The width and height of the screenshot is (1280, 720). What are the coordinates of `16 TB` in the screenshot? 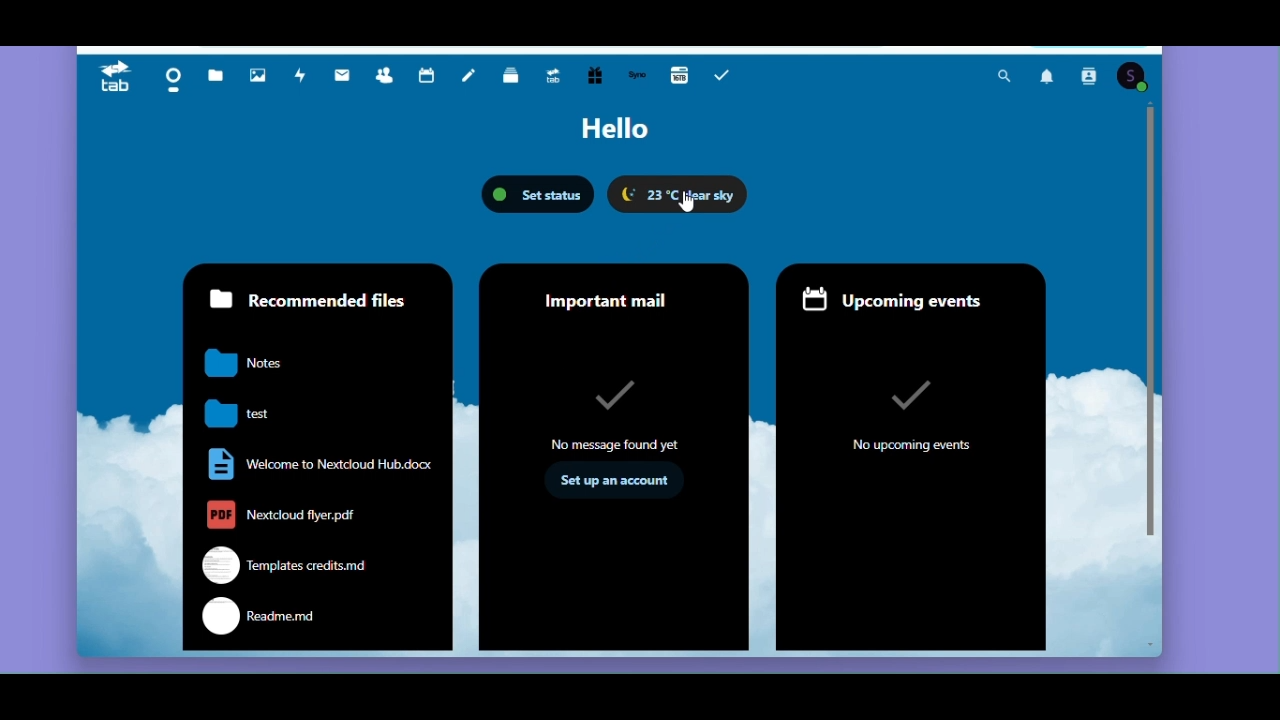 It's located at (678, 76).